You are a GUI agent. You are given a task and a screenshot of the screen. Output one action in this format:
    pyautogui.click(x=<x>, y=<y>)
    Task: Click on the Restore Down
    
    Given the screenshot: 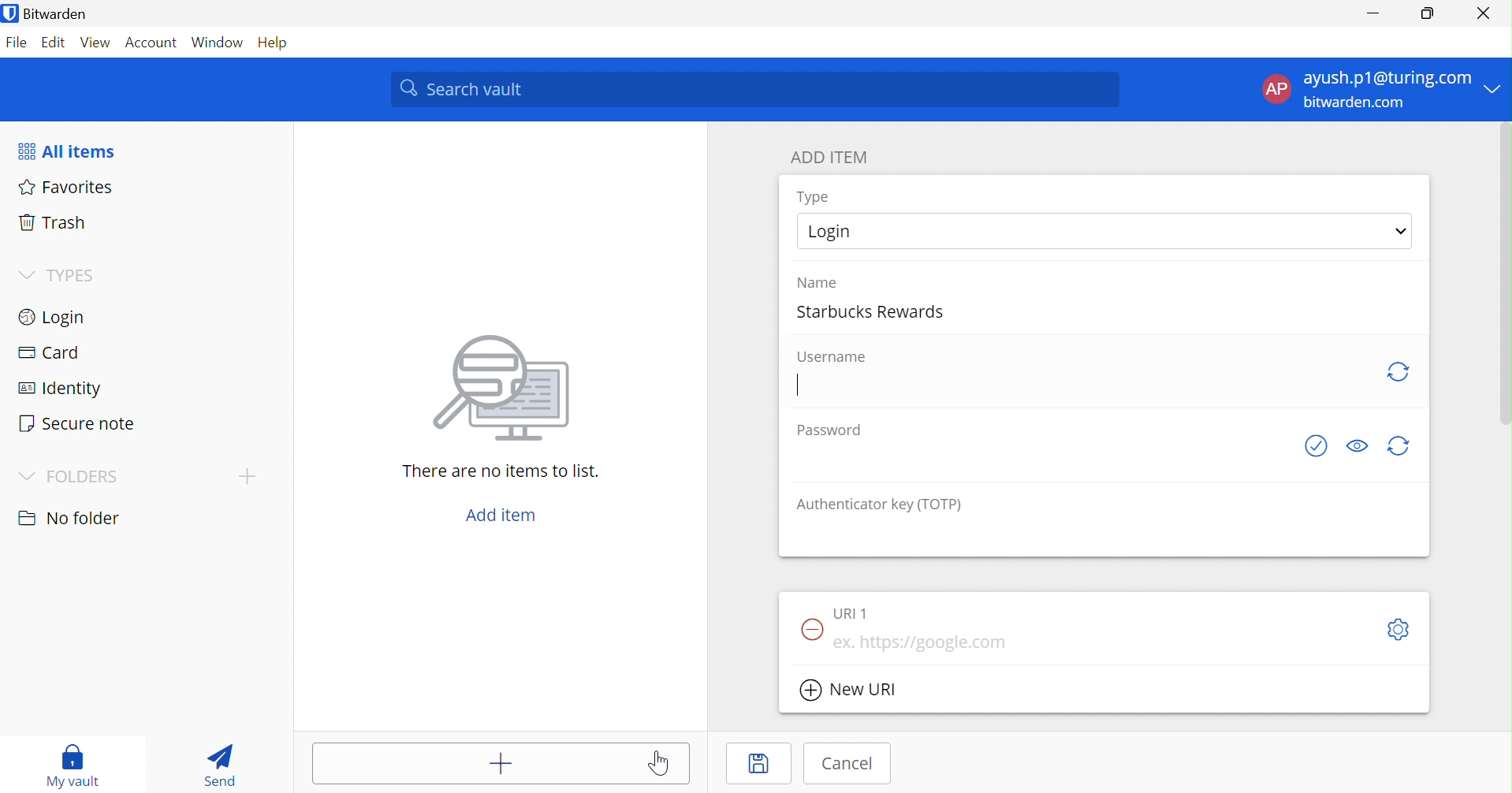 What is the action you would take?
    pyautogui.click(x=1428, y=11)
    